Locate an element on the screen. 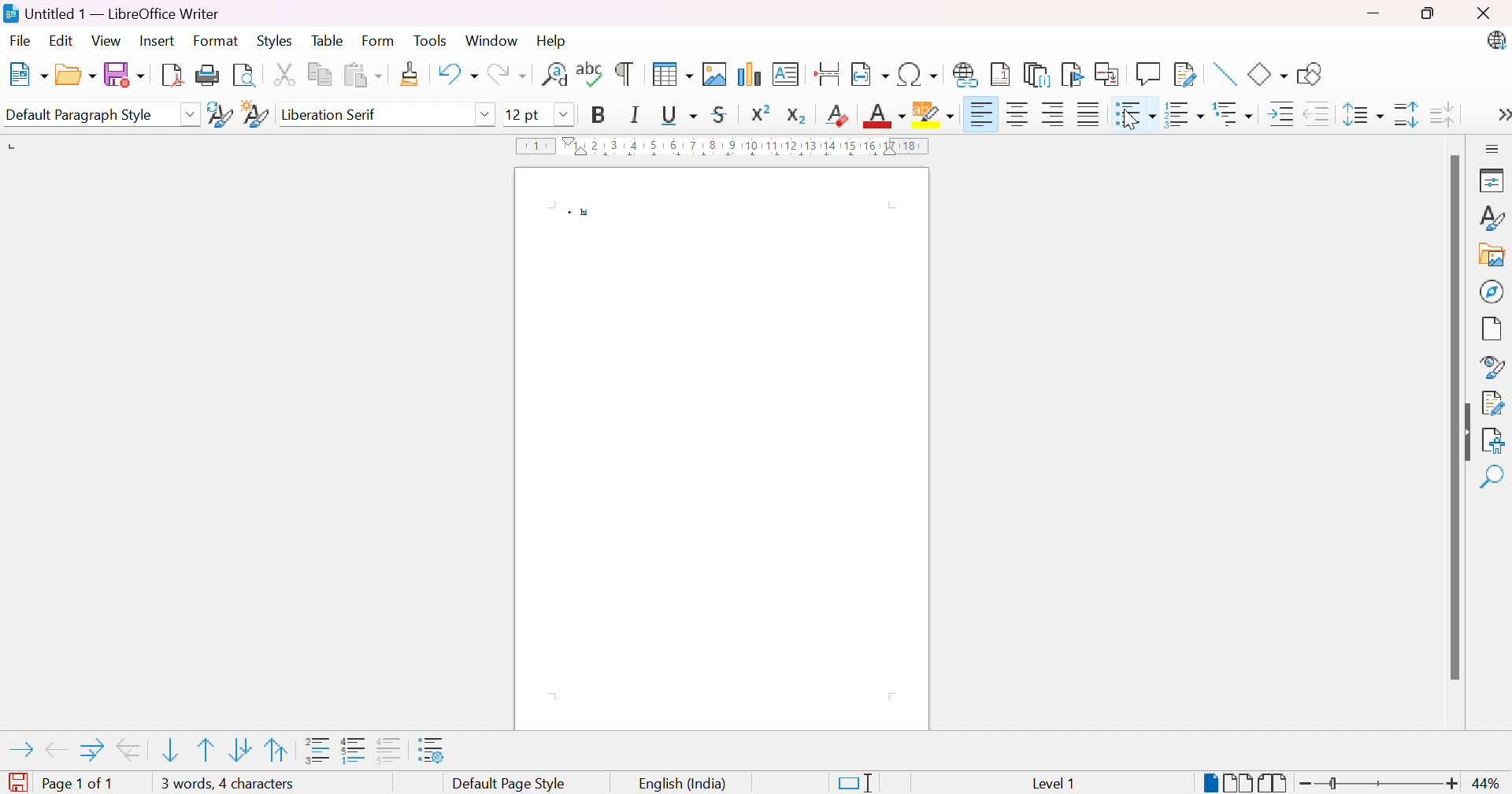 This screenshot has height=794, width=1512. Select outline format is located at coordinates (1236, 114).